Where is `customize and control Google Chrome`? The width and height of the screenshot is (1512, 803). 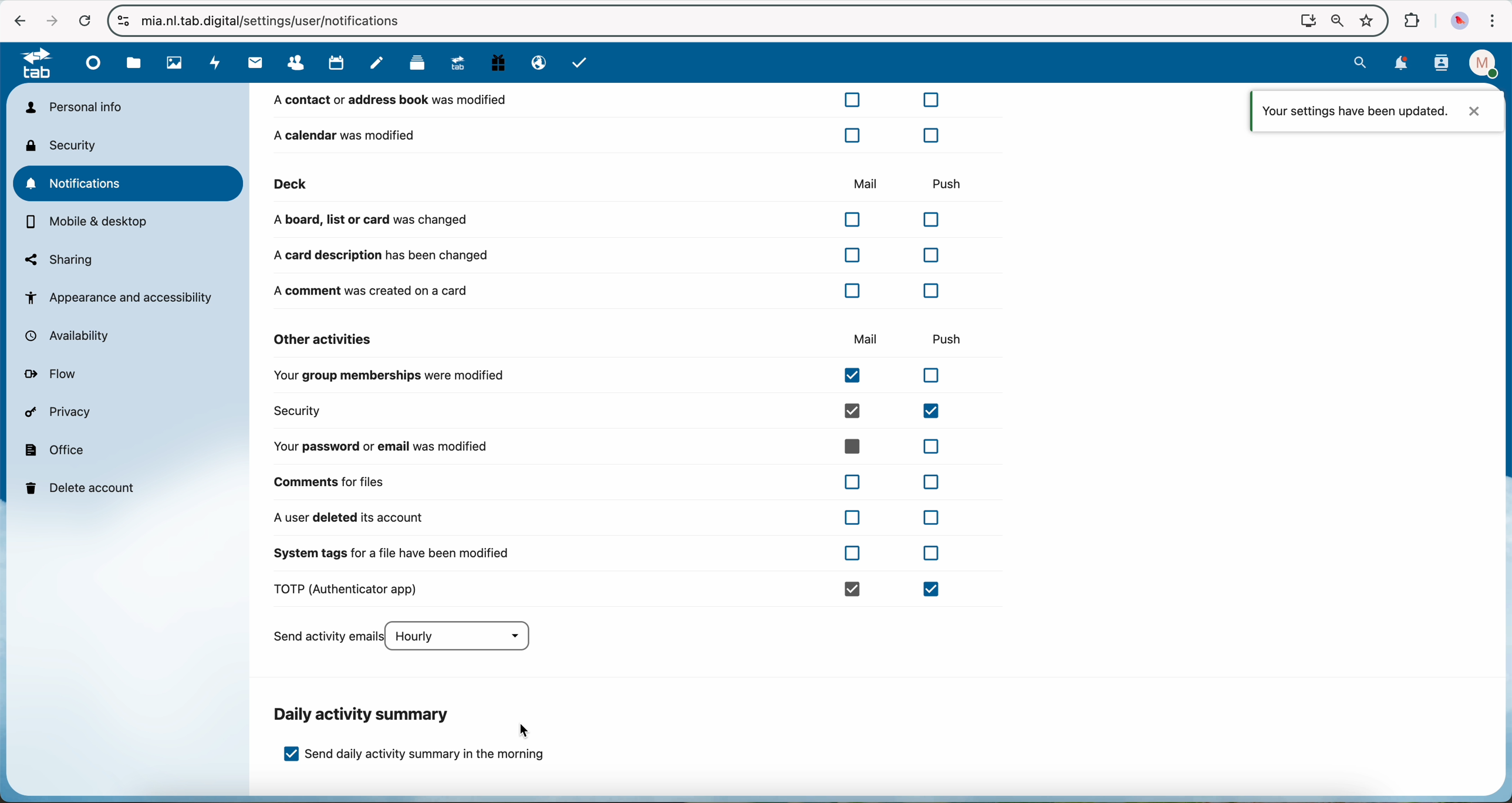 customize and control Google Chrome is located at coordinates (1494, 21).